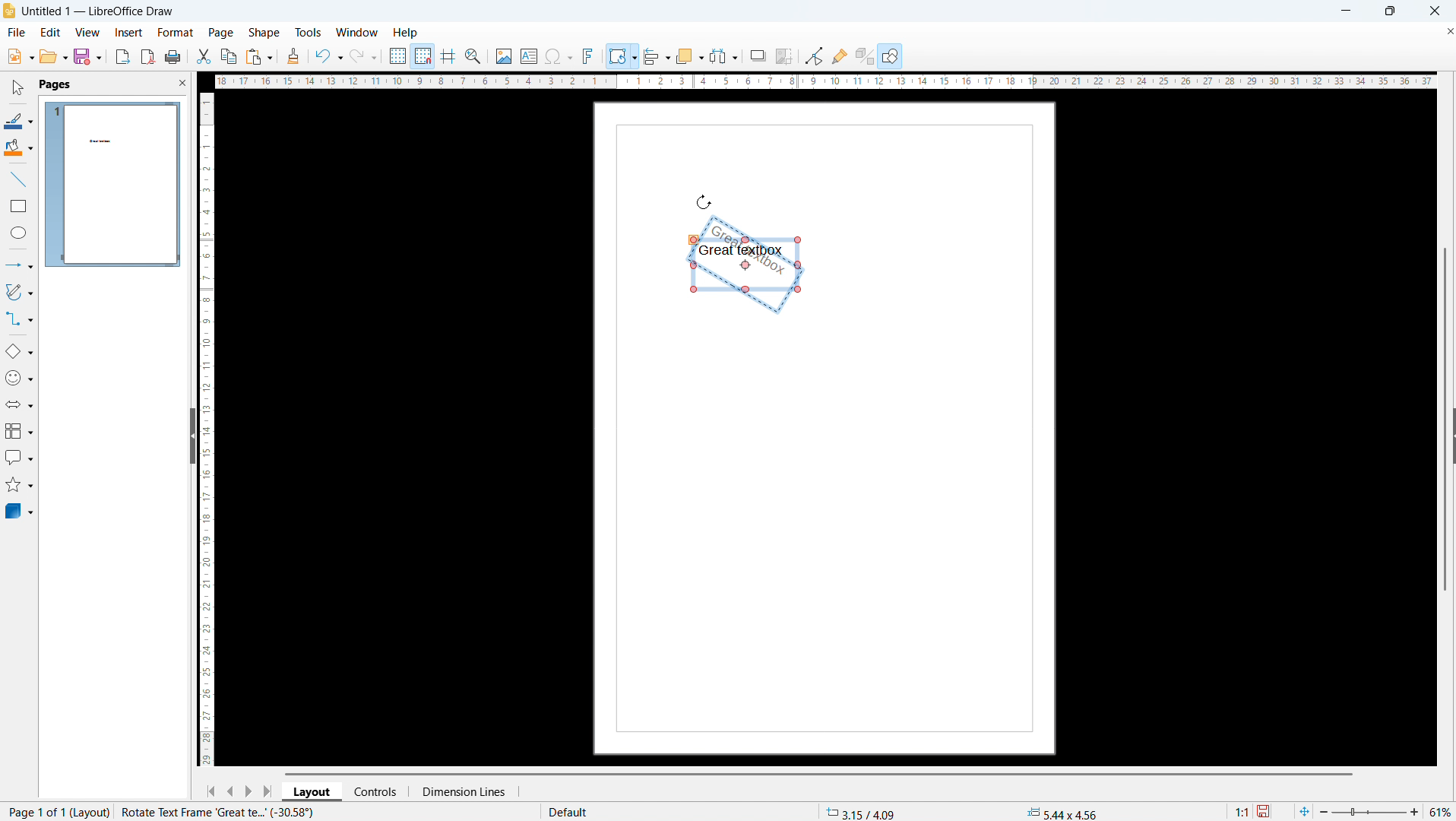 The image size is (1456, 821). What do you see at coordinates (1447, 30) in the screenshot?
I see `Close document ` at bounding box center [1447, 30].